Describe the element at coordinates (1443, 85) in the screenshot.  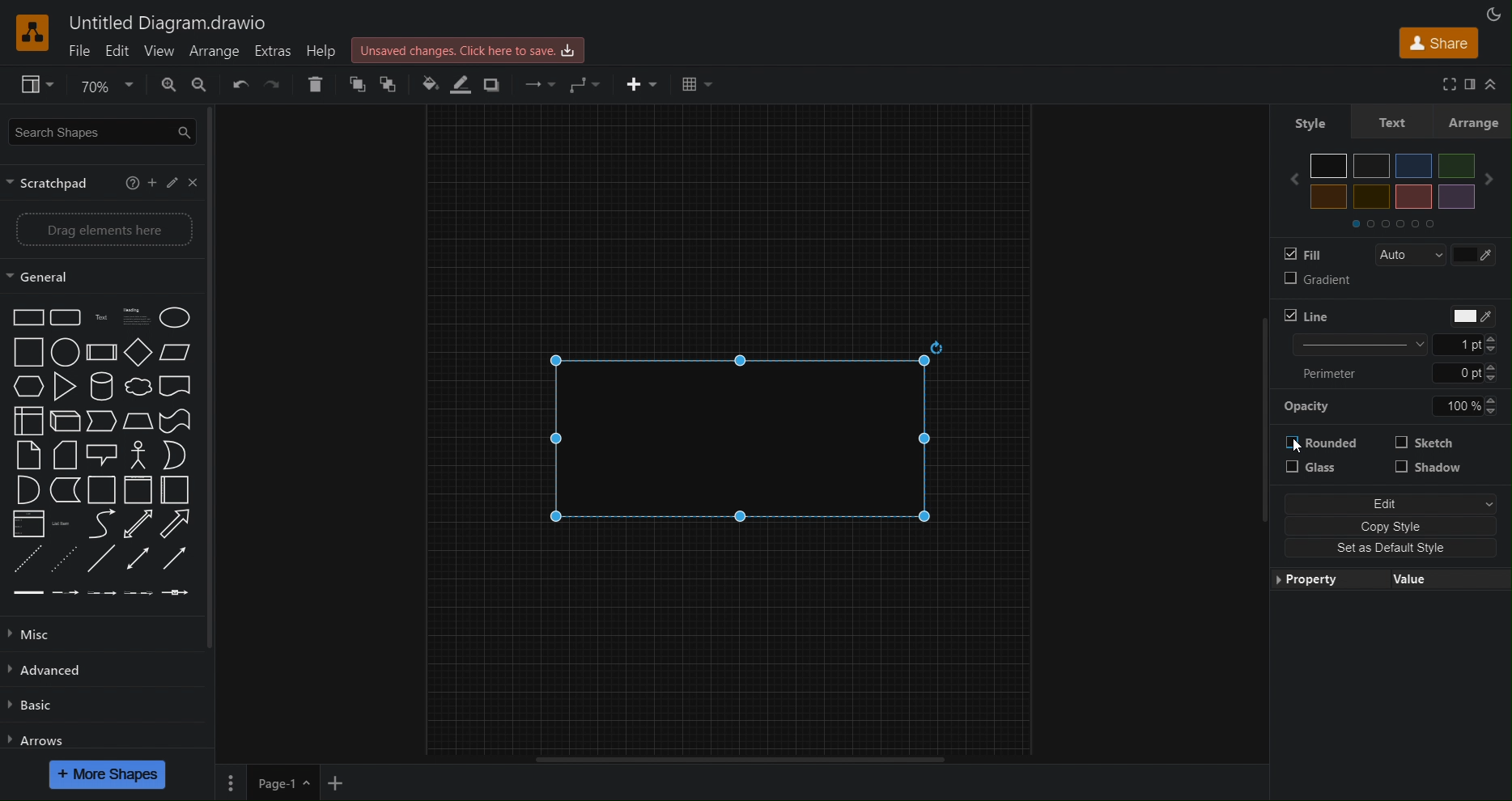
I see `Fullscreen` at that location.